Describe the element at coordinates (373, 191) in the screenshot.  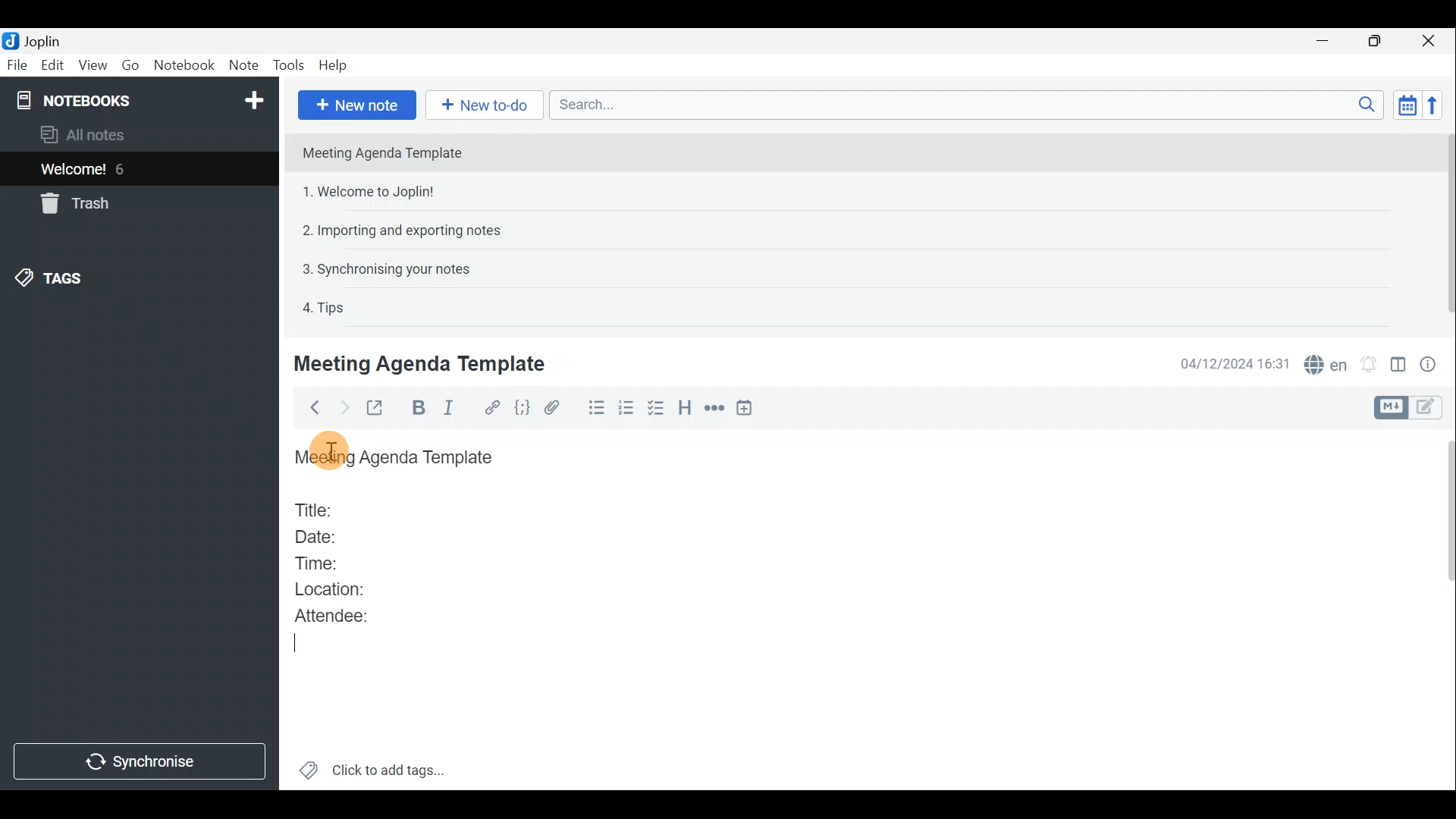
I see `1. Welcome to Joplin!` at that location.